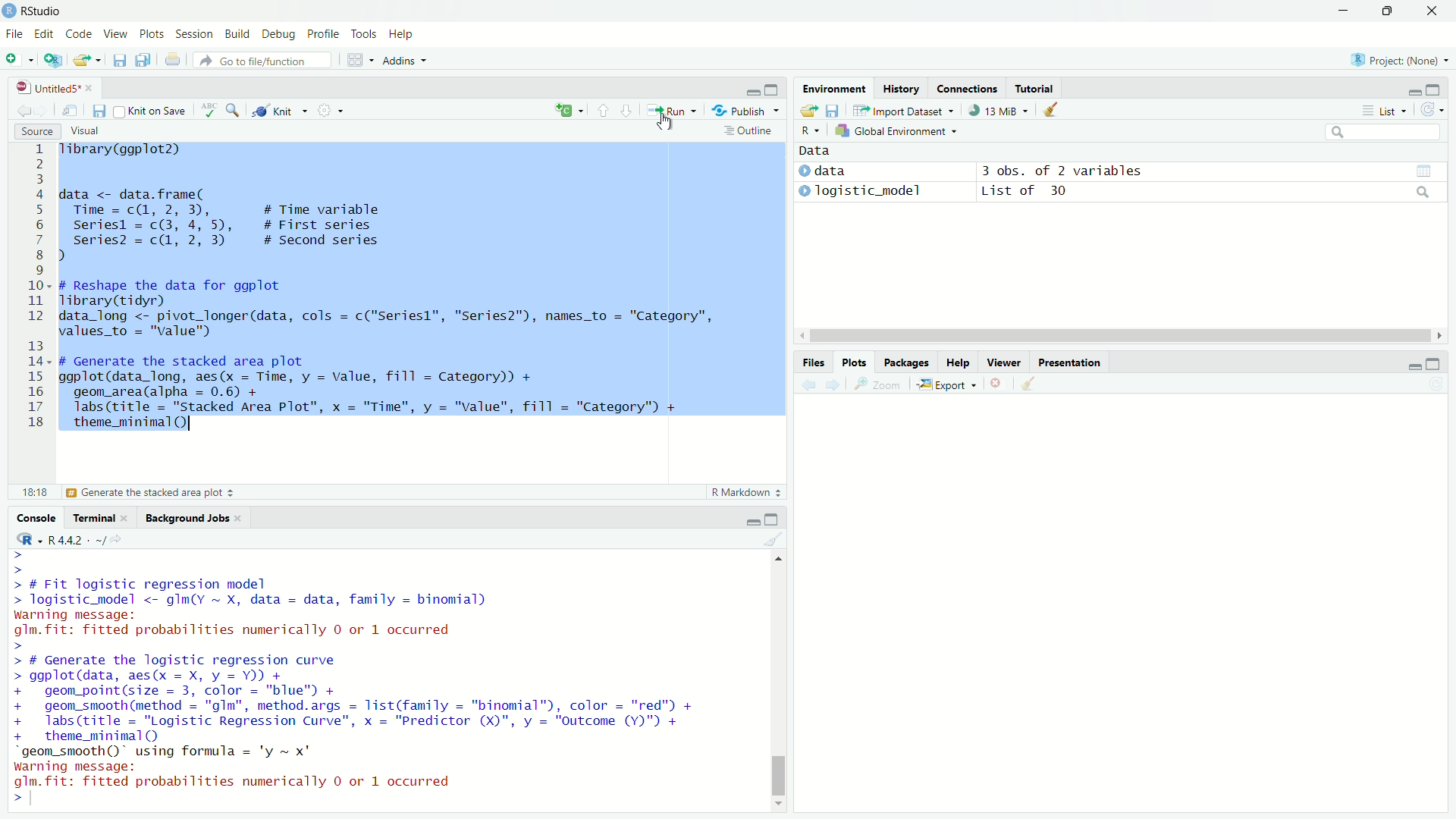  I want to click on (Top Level) , so click(153, 495).